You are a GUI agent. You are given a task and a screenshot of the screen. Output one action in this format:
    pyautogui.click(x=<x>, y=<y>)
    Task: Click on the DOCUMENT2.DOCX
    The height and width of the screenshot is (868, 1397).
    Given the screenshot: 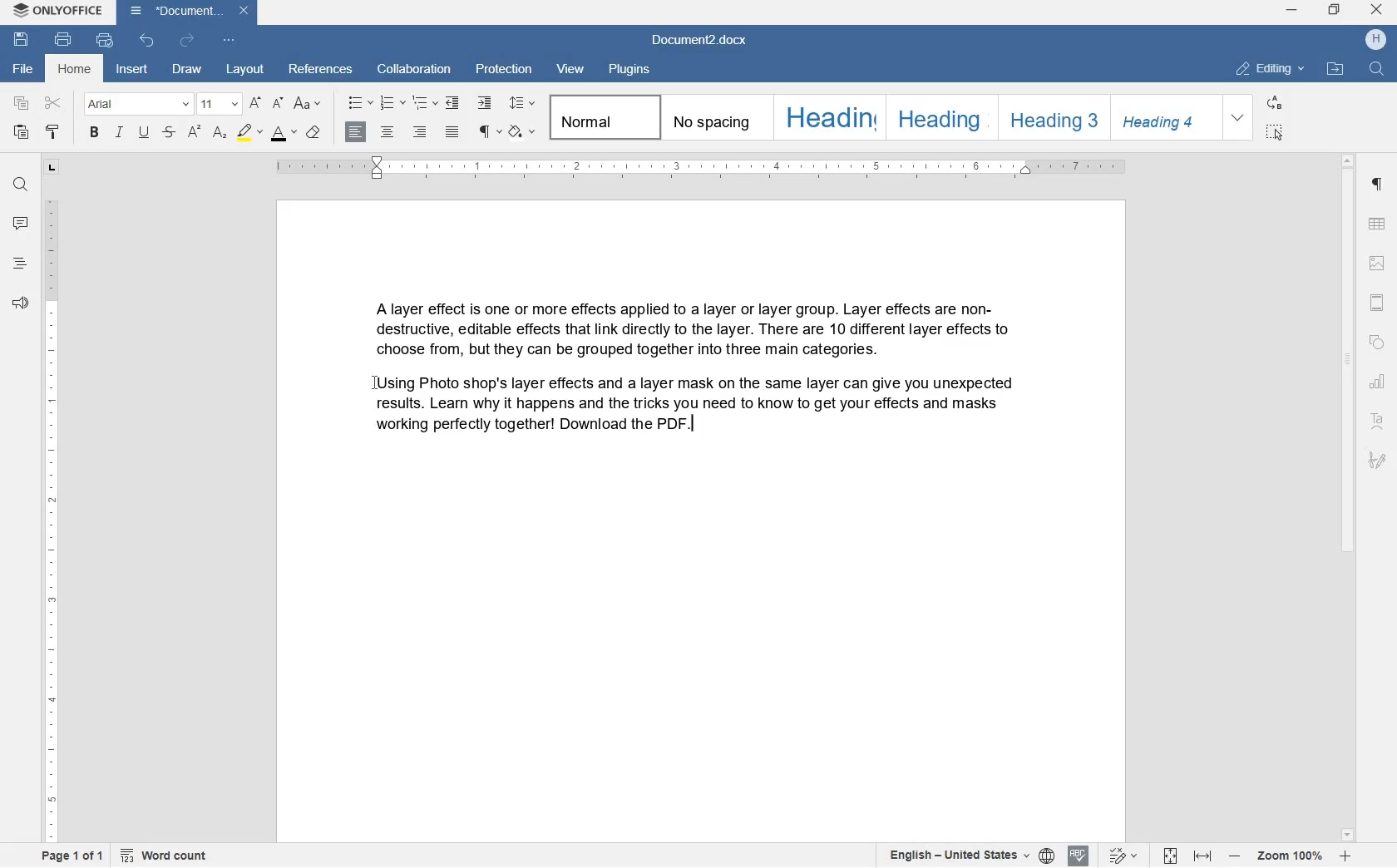 What is the action you would take?
    pyautogui.click(x=703, y=42)
    